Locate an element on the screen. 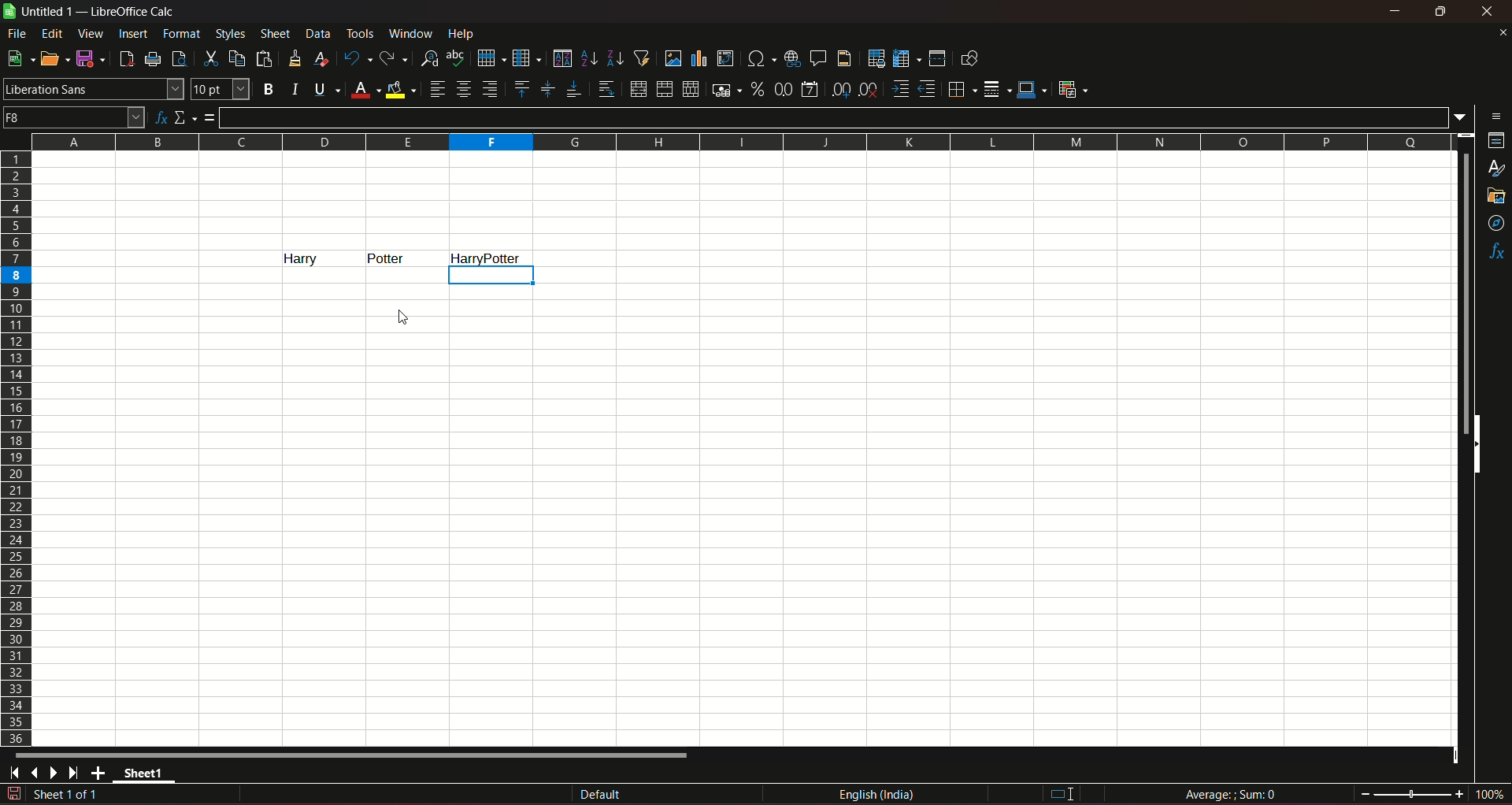  insert special character is located at coordinates (759, 57).